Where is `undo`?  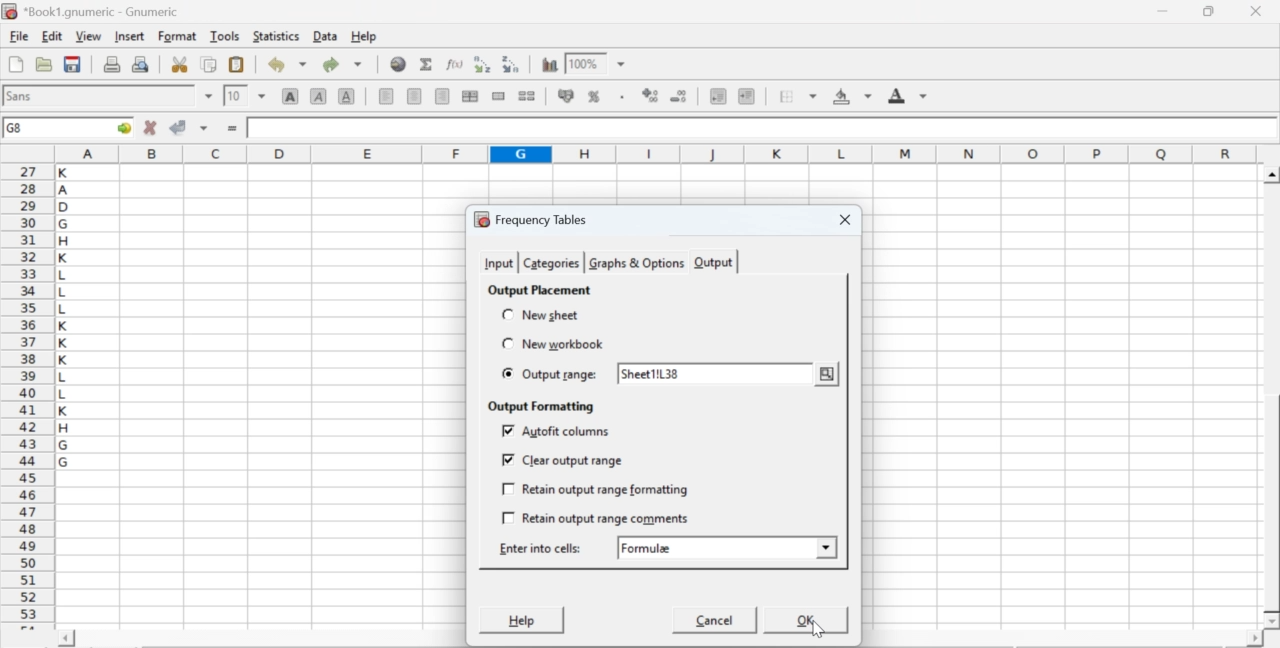
undo is located at coordinates (286, 65).